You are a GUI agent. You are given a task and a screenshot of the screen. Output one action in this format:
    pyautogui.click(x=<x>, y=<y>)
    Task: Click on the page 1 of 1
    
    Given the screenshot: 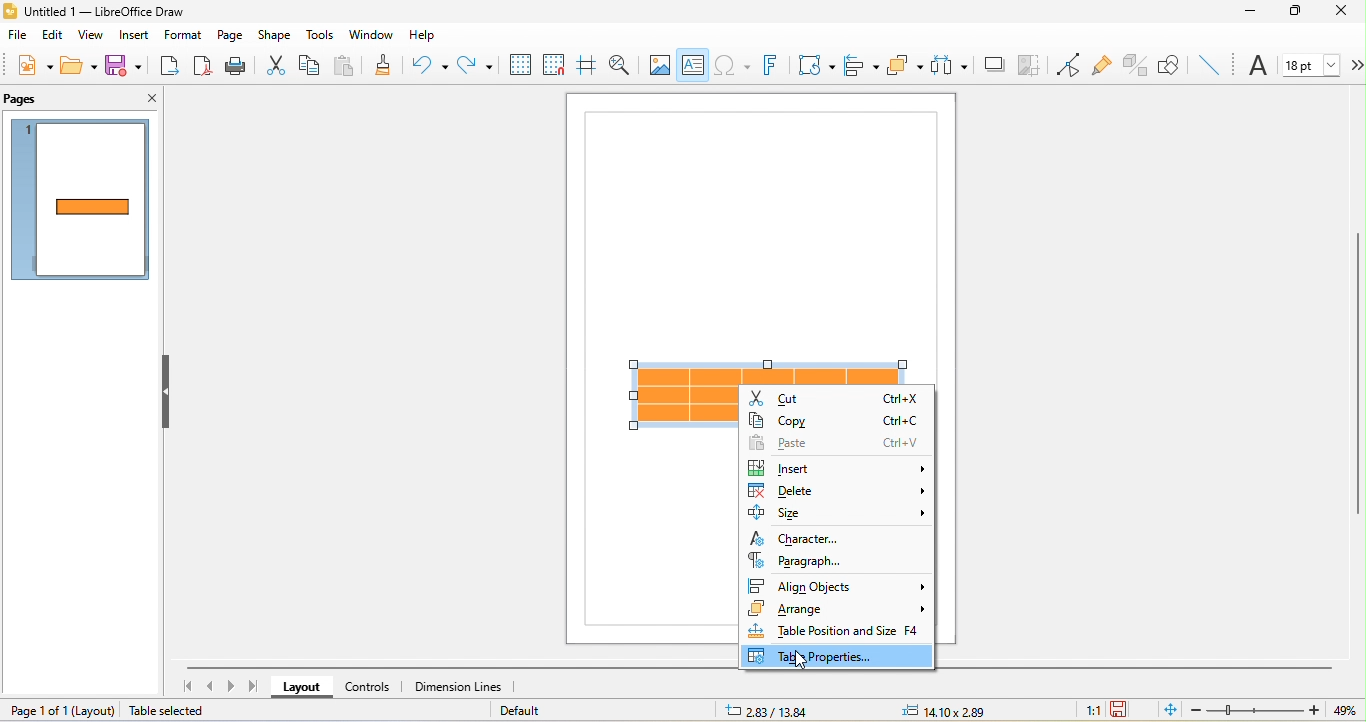 What is the action you would take?
    pyautogui.click(x=35, y=709)
    